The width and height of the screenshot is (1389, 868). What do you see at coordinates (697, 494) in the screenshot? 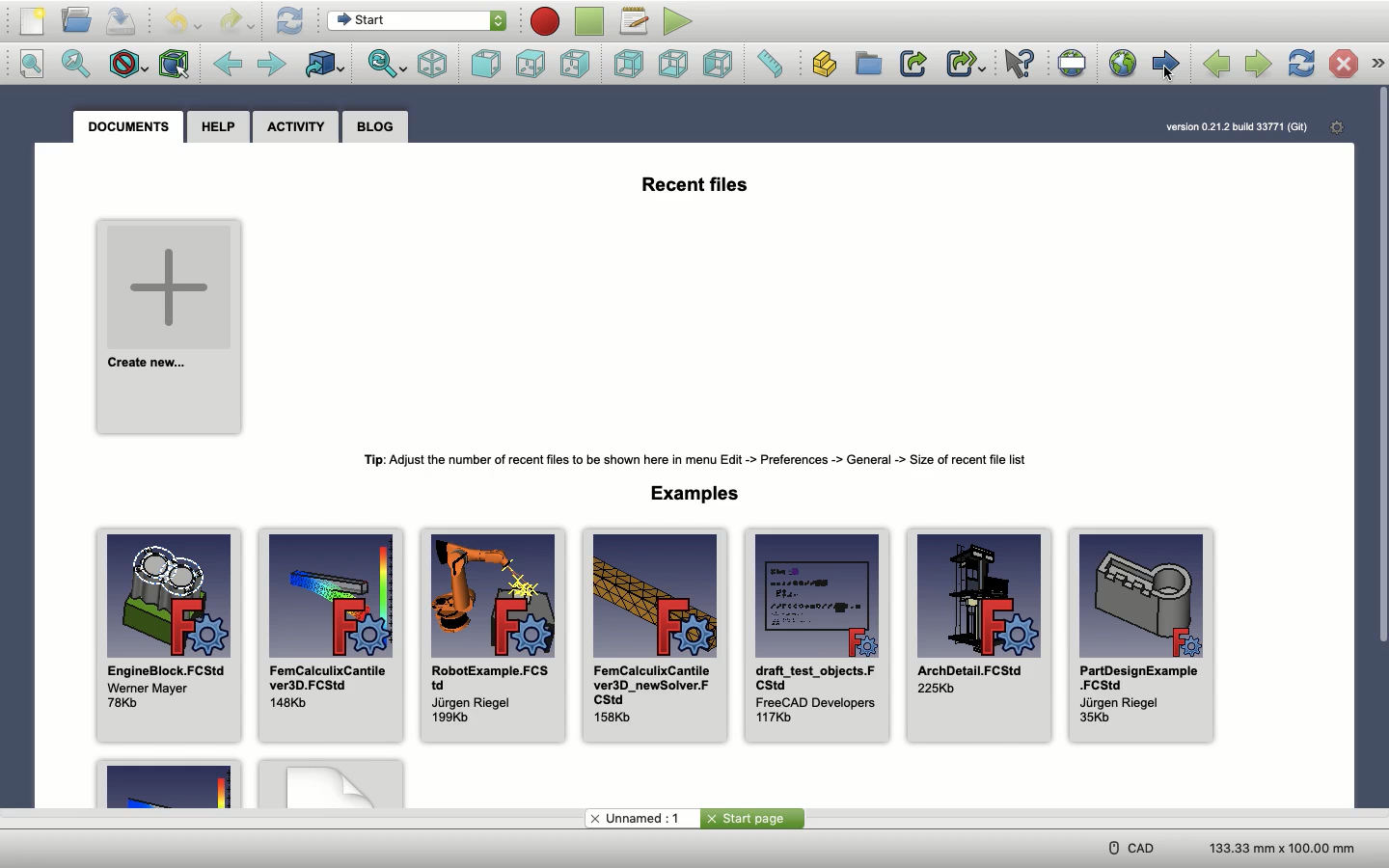
I see `Examples` at bounding box center [697, 494].